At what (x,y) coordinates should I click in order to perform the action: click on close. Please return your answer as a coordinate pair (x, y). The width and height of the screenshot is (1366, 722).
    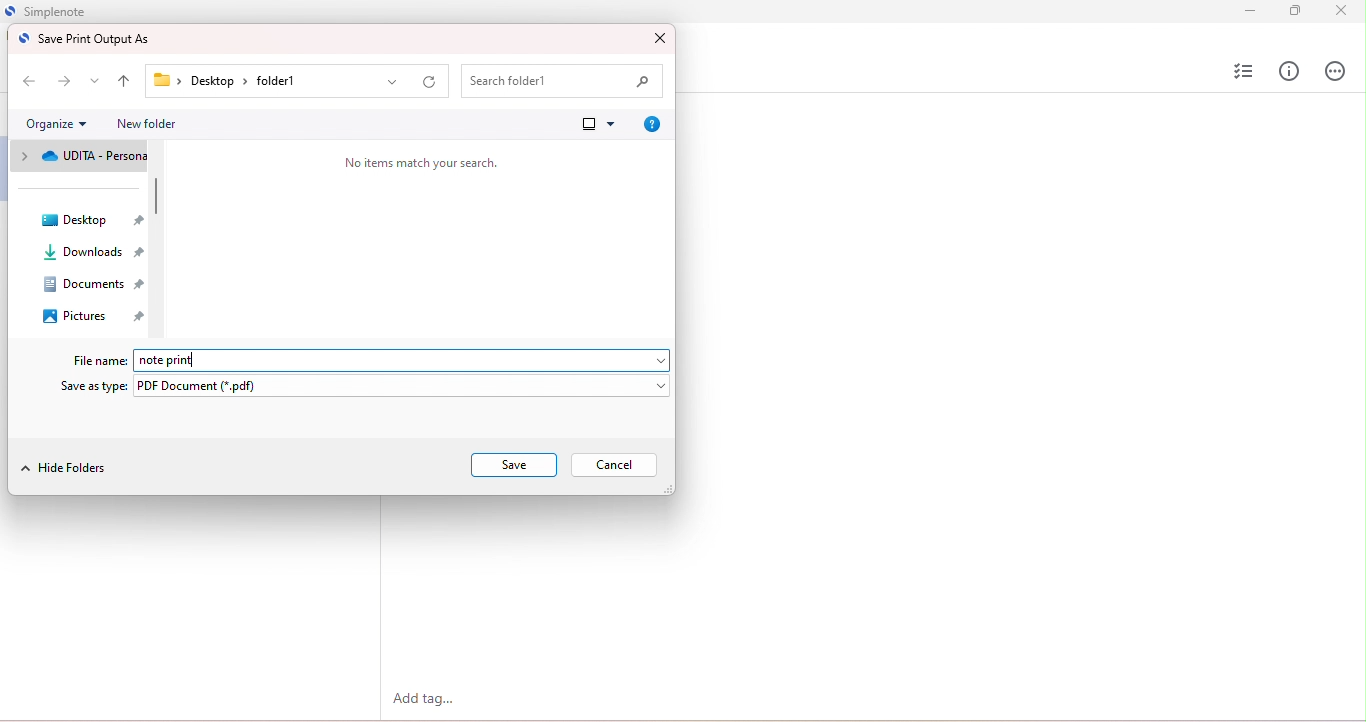
    Looking at the image, I should click on (1340, 12).